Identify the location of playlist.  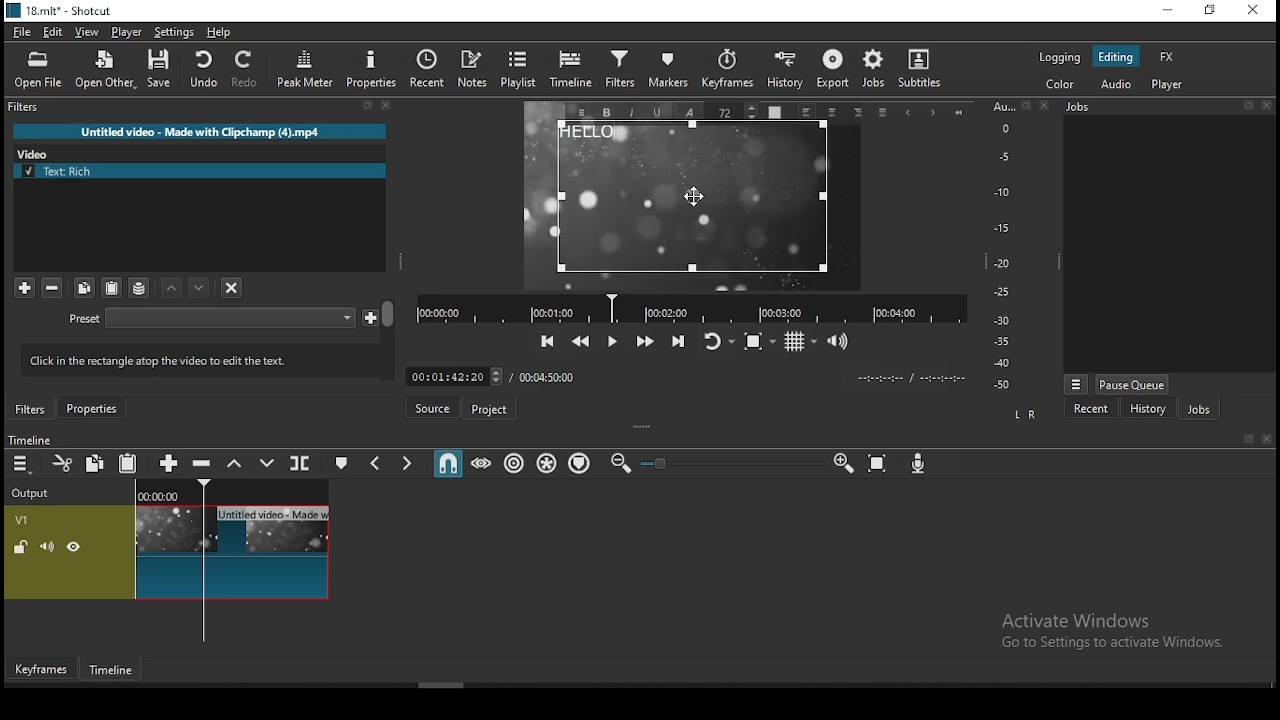
(519, 70).